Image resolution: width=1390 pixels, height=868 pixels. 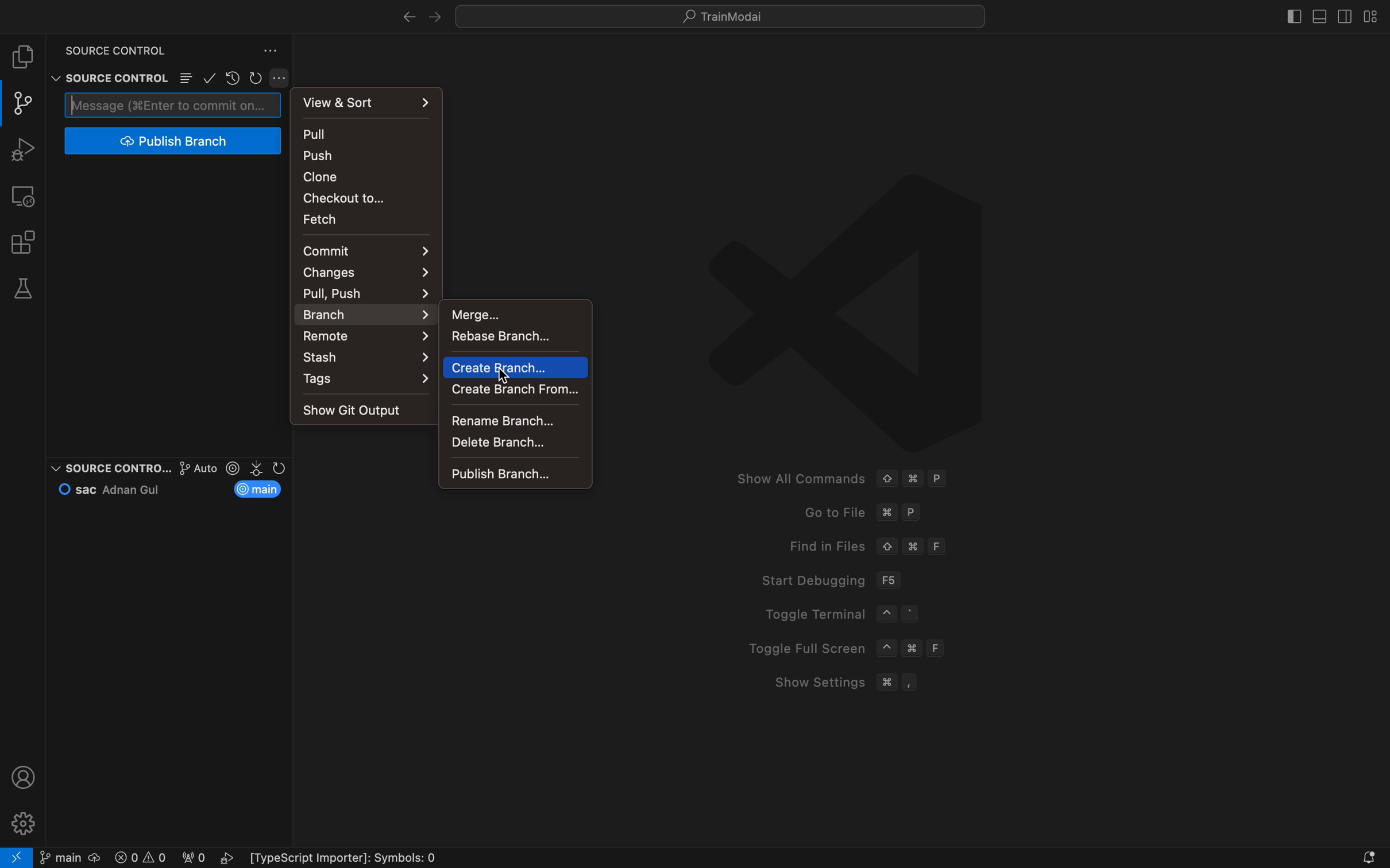 What do you see at coordinates (515, 388) in the screenshot?
I see `create branch from specific  branhc` at bounding box center [515, 388].